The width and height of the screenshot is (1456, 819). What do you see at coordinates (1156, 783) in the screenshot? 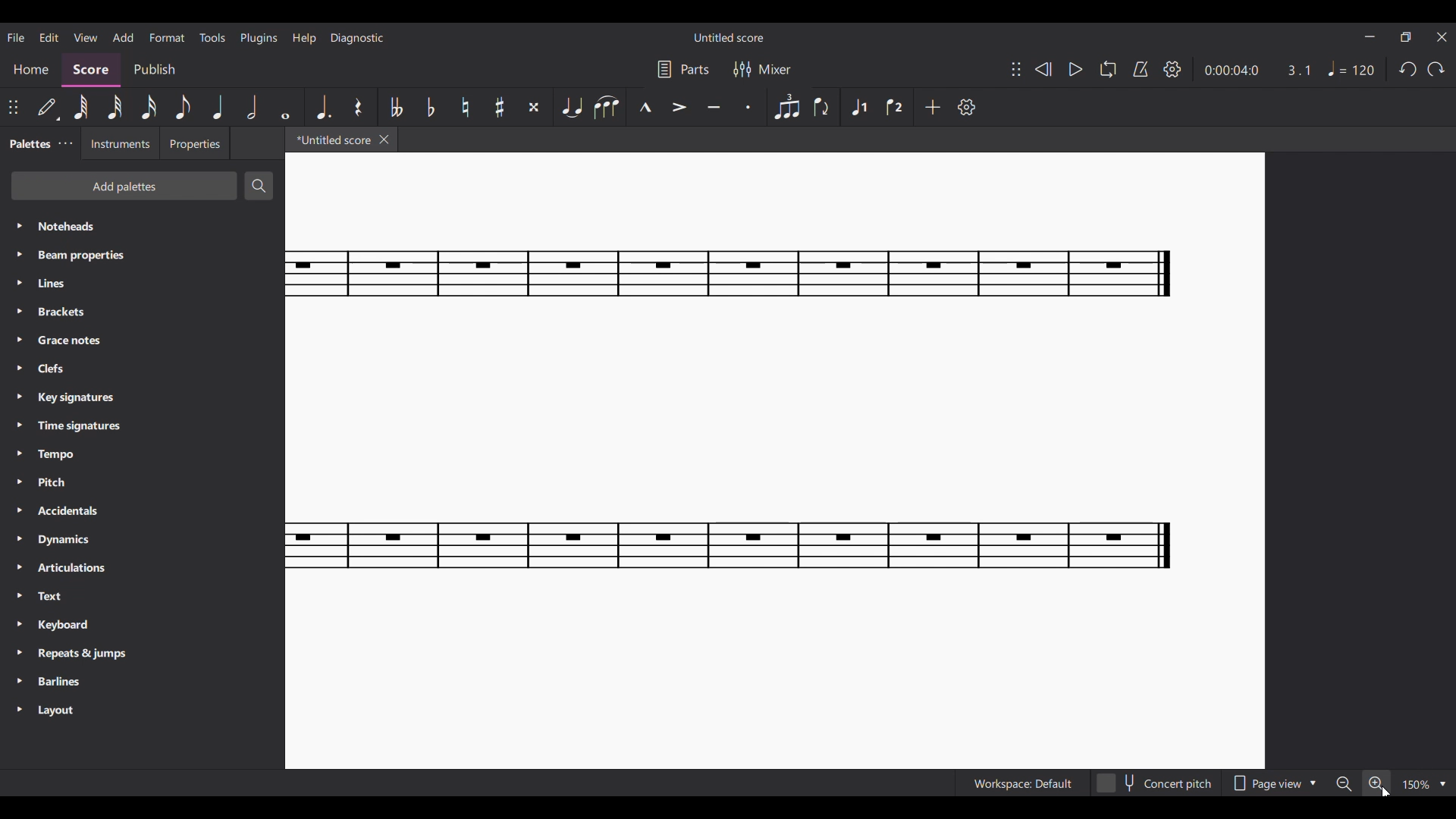
I see `Concert pitch toggle` at bounding box center [1156, 783].